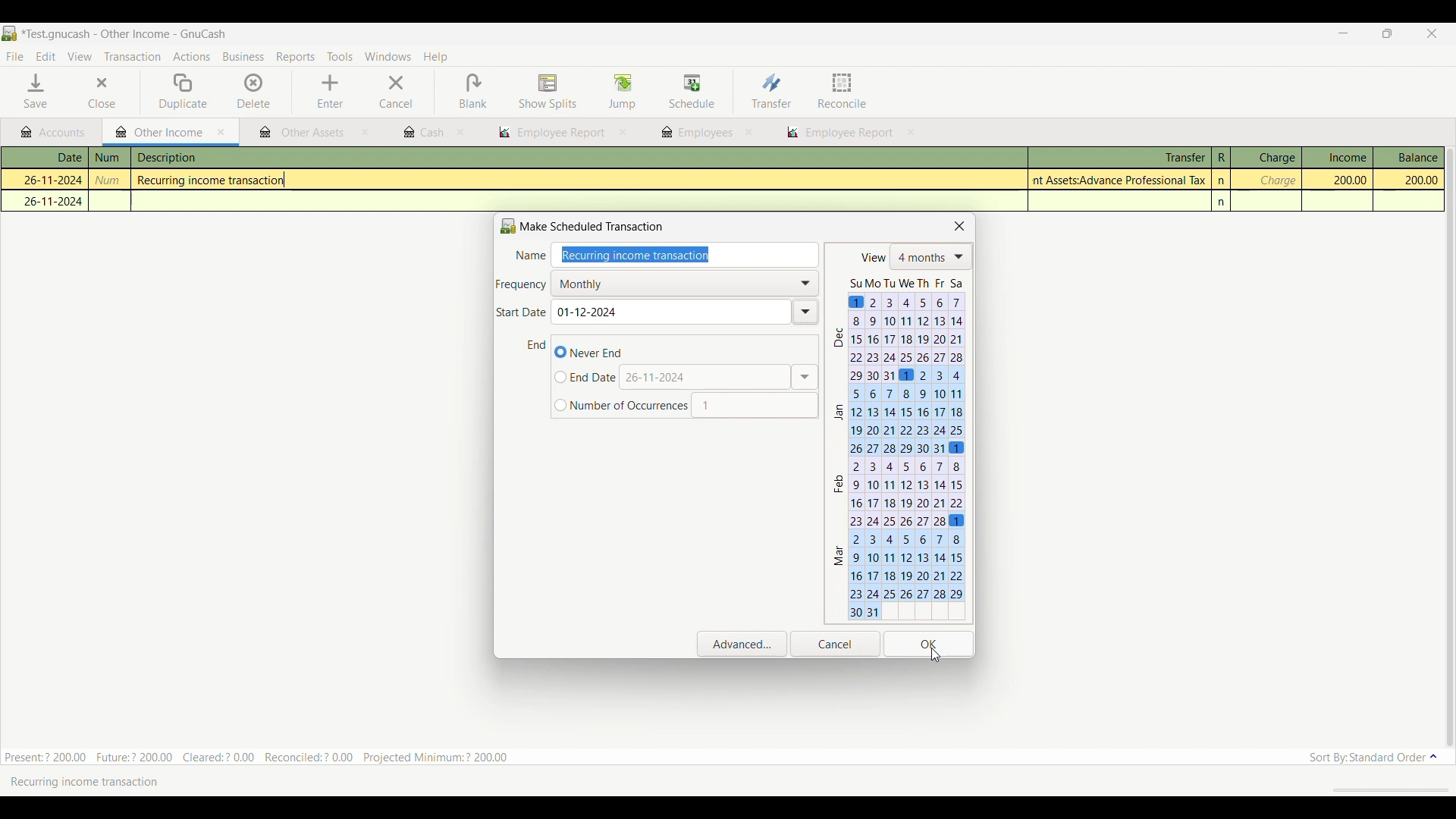  Describe the element at coordinates (340, 58) in the screenshot. I see `Tools menu` at that location.